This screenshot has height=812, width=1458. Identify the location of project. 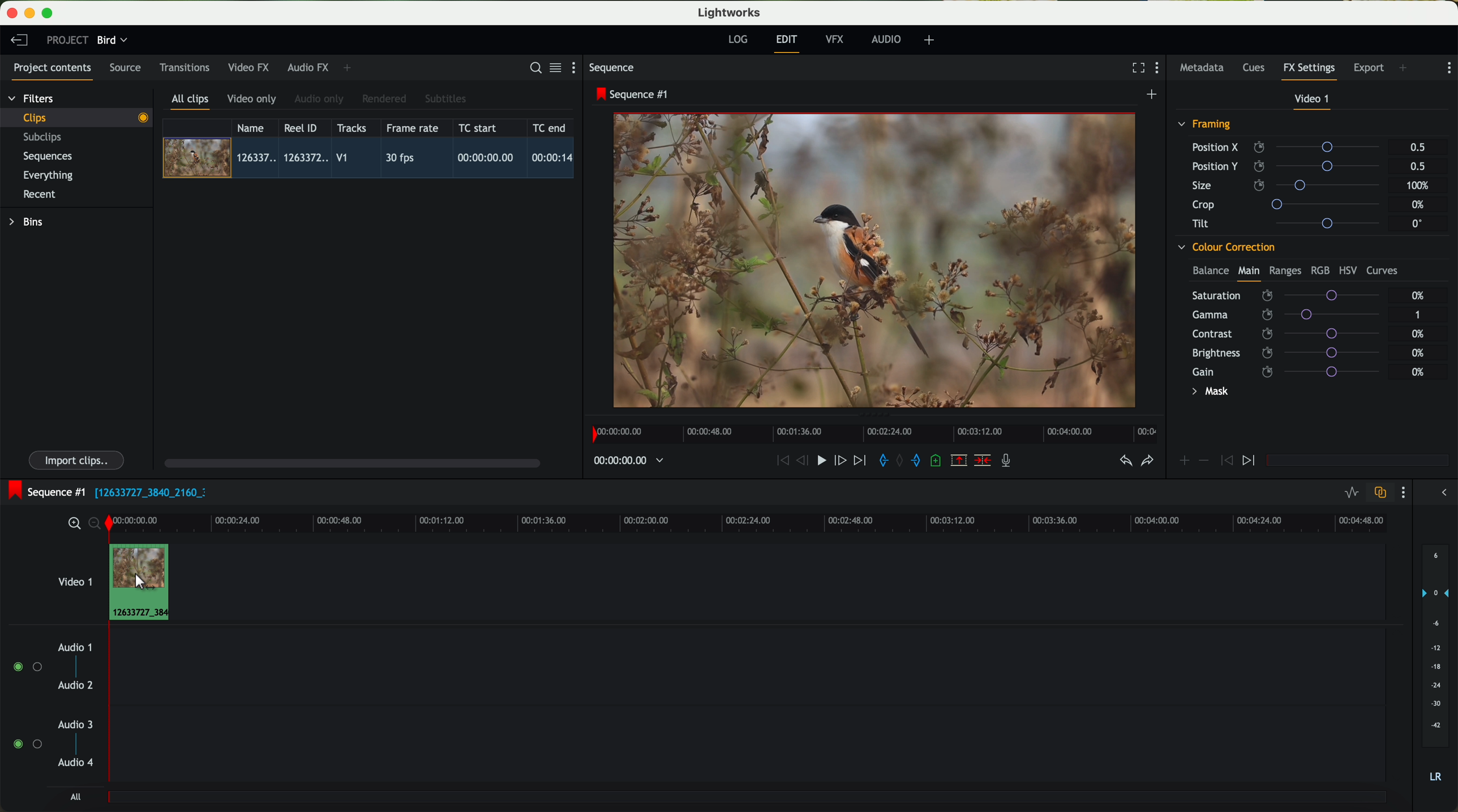
(67, 40).